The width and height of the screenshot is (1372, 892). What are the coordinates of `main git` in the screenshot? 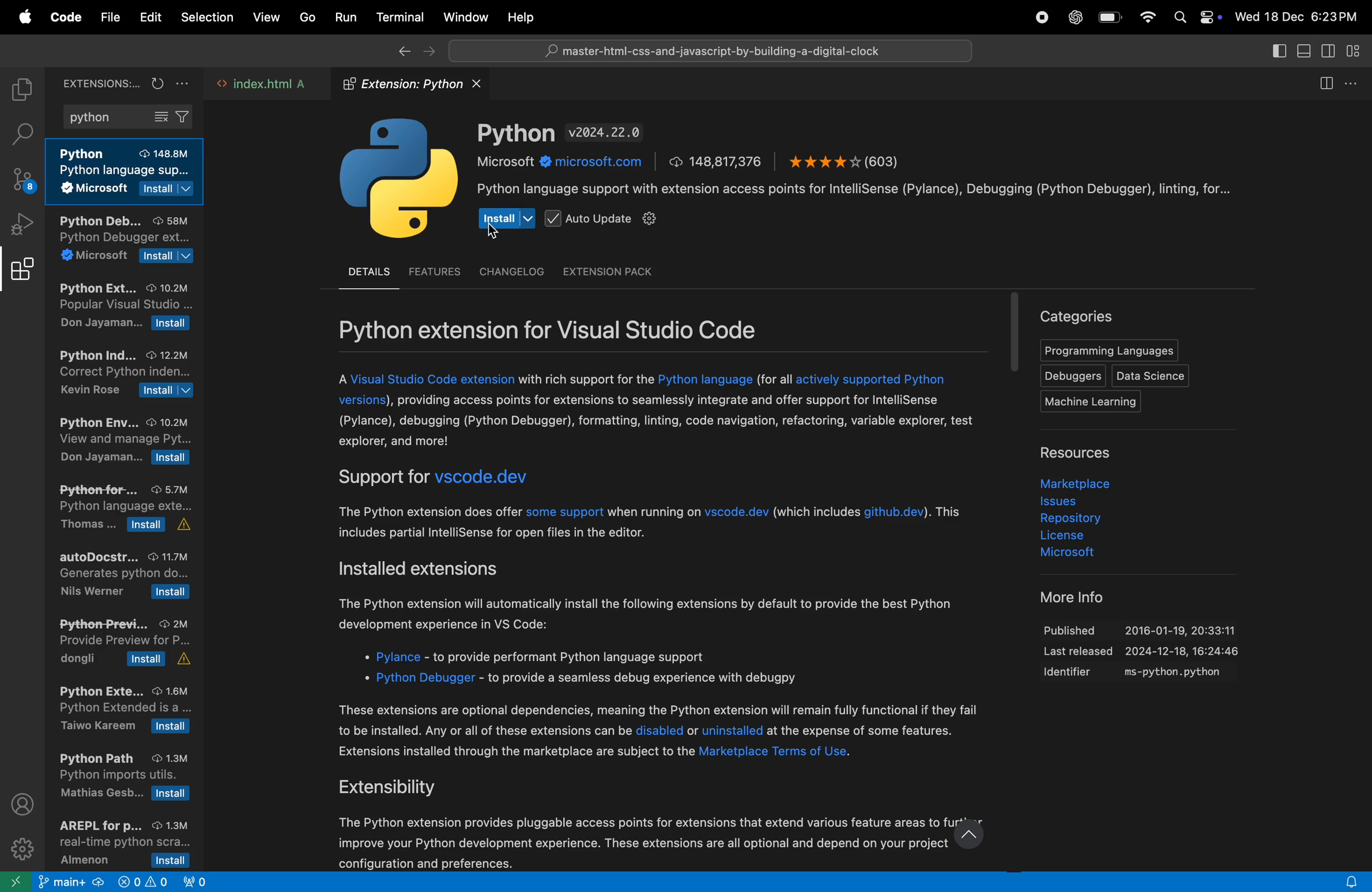 It's located at (71, 884).